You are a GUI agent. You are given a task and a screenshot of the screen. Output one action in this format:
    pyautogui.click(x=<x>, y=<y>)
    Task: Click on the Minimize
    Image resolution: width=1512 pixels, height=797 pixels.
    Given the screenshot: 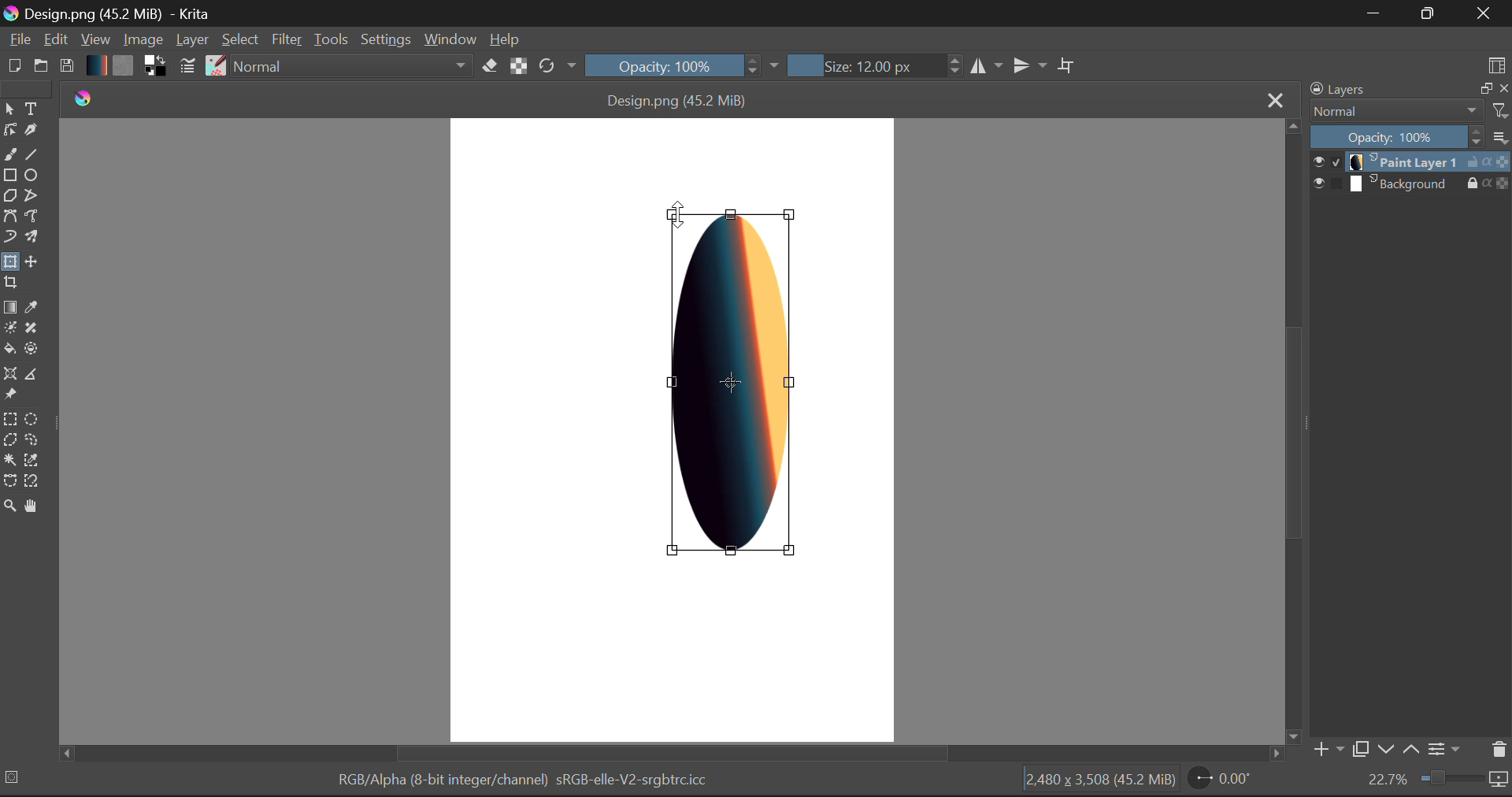 What is the action you would take?
    pyautogui.click(x=1431, y=14)
    